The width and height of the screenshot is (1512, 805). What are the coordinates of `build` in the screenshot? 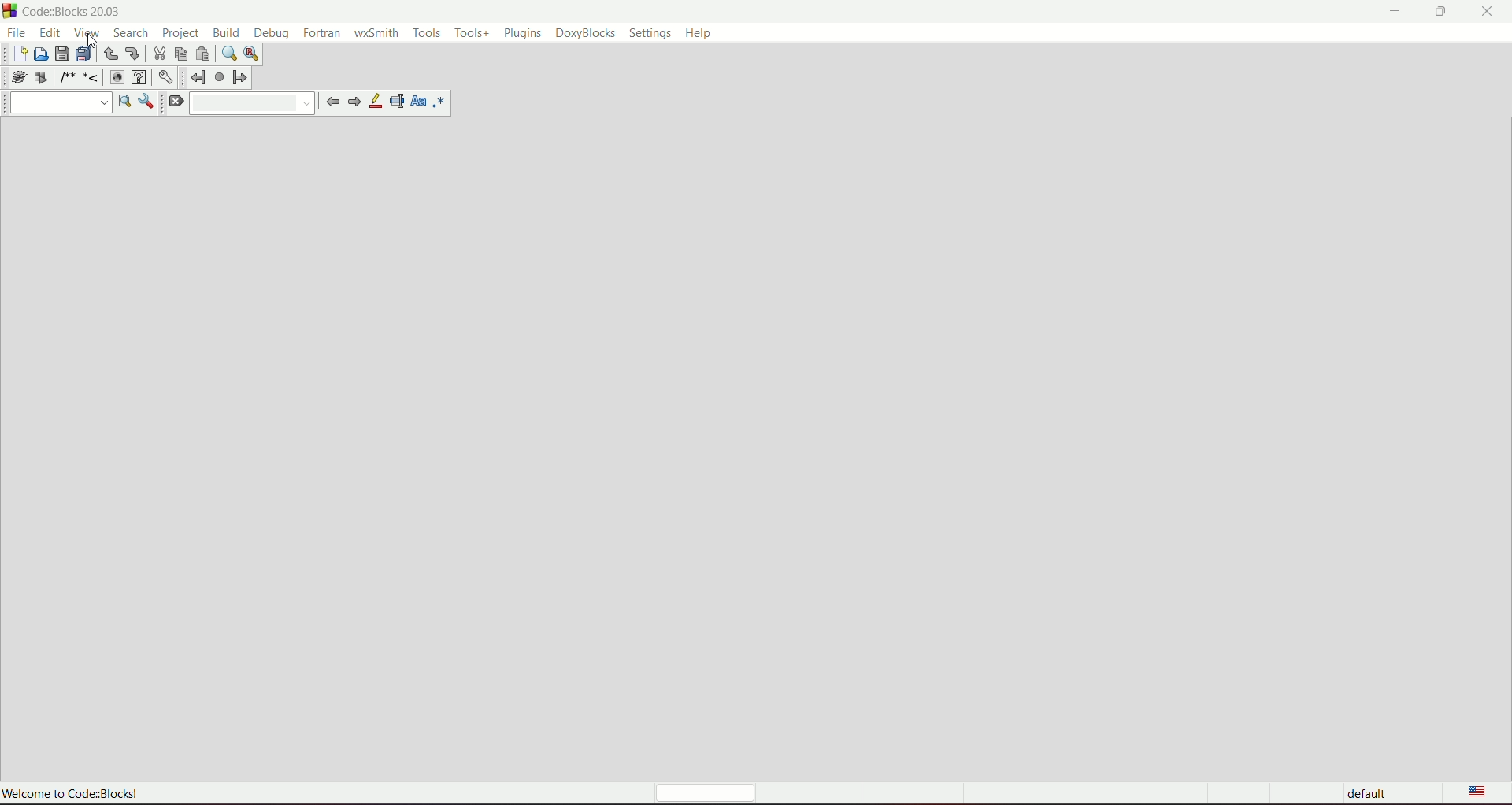 It's located at (224, 33).